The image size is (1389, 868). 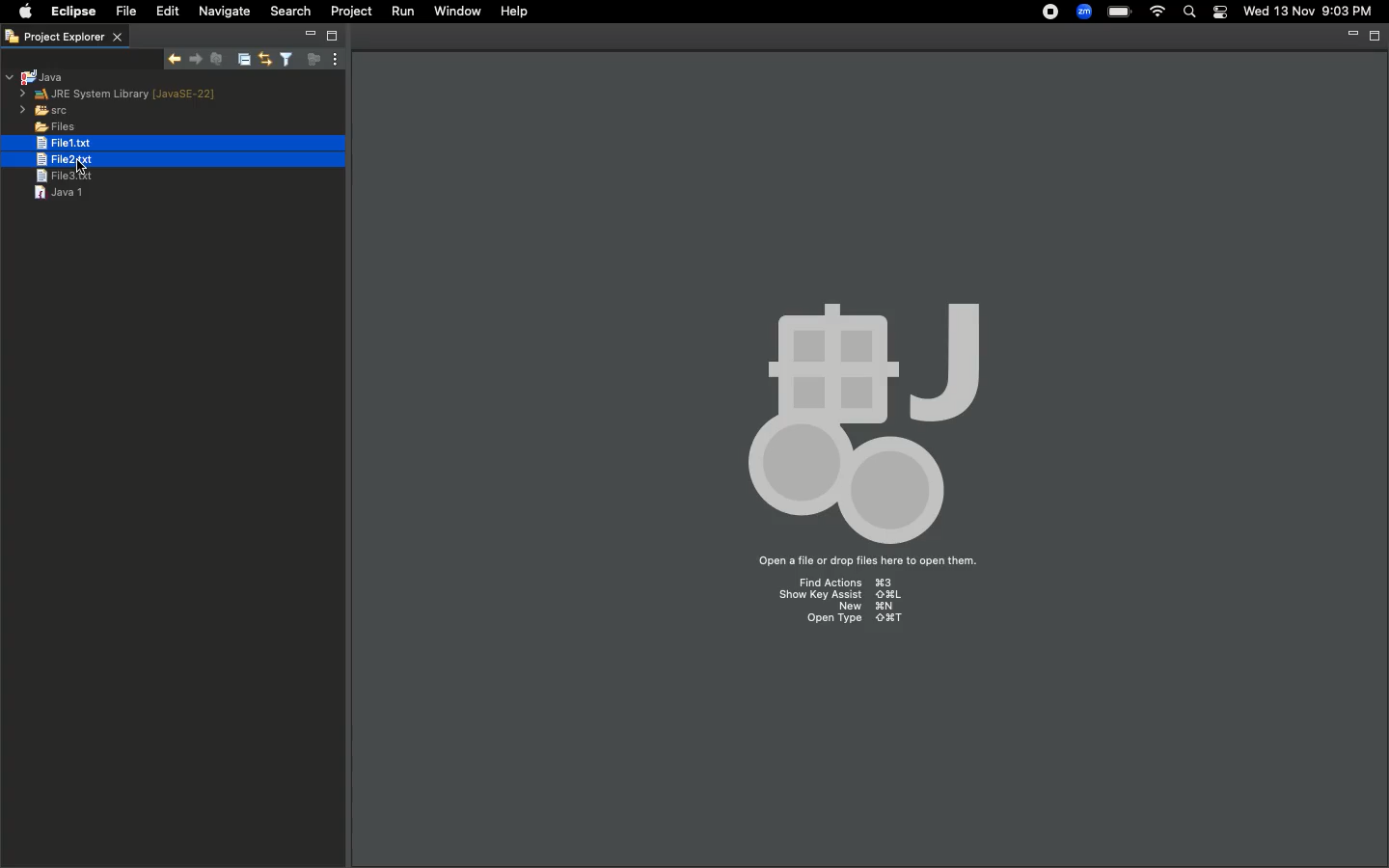 What do you see at coordinates (866, 607) in the screenshot?
I see `New` at bounding box center [866, 607].